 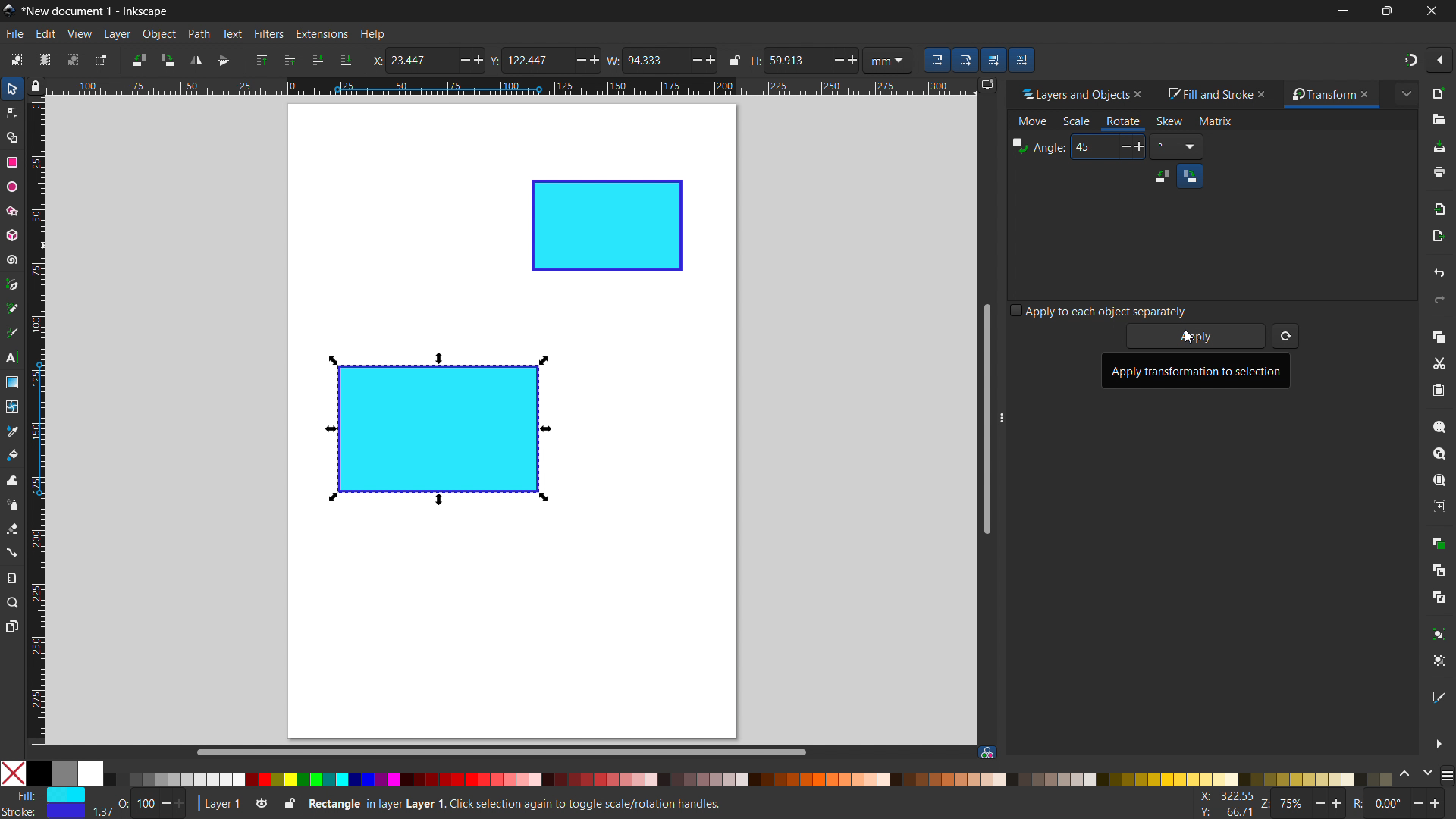 What do you see at coordinates (477, 60) in the screenshot?
I see `Add/ increase` at bounding box center [477, 60].